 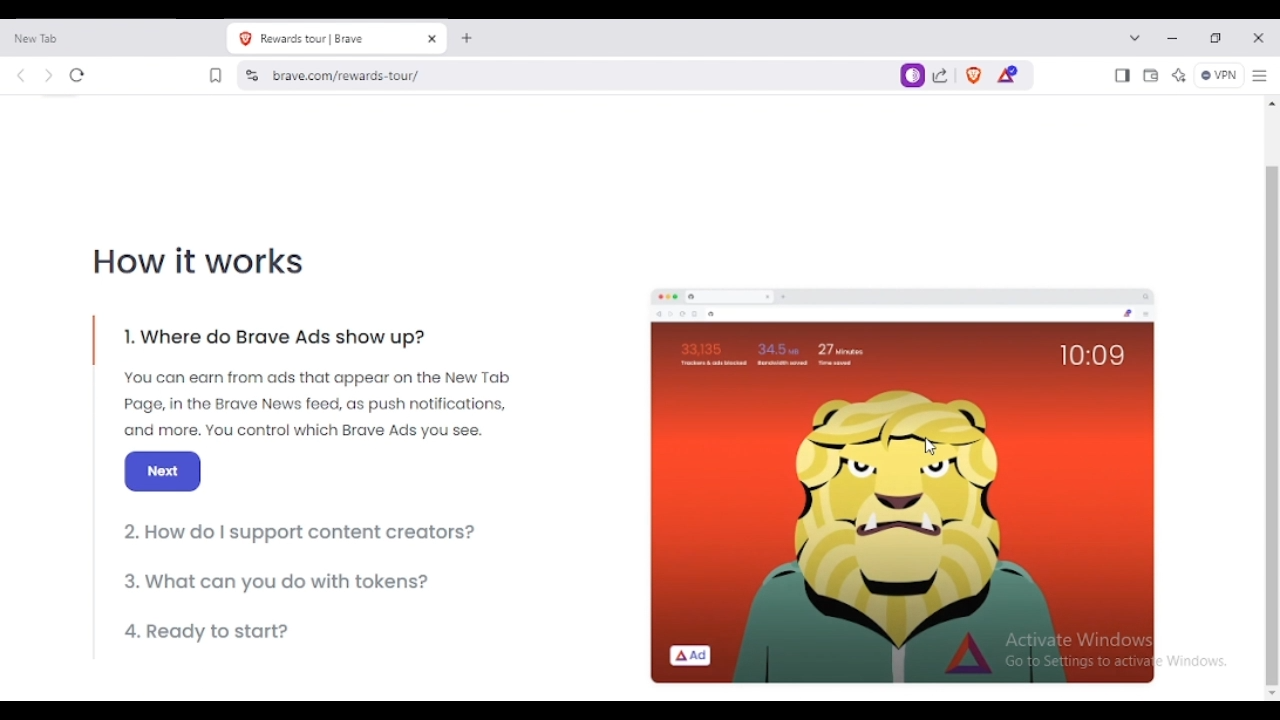 What do you see at coordinates (163, 472) in the screenshot?
I see `next` at bounding box center [163, 472].